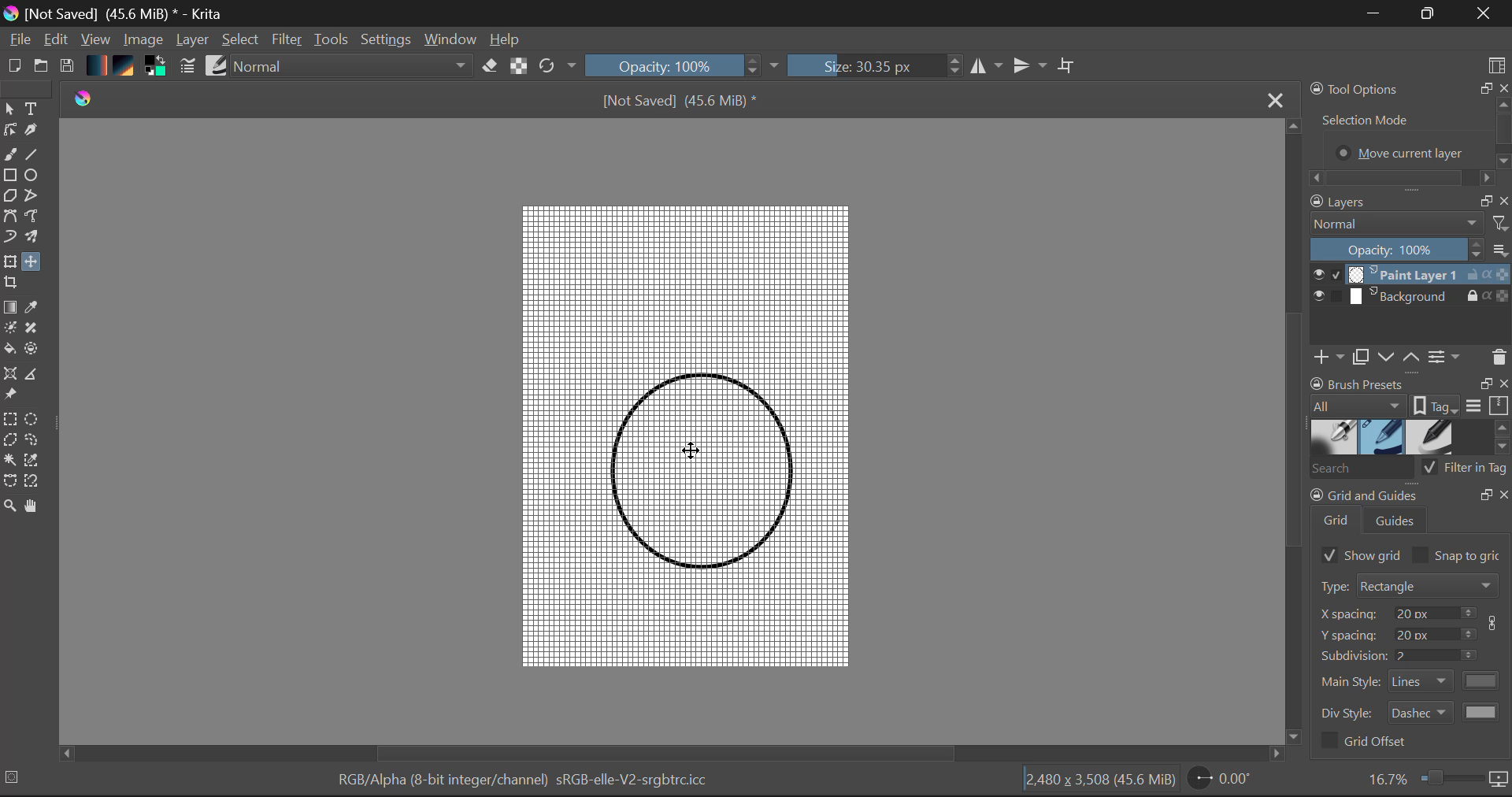 This screenshot has width=1512, height=797. Describe the element at coordinates (9, 462) in the screenshot. I see `Continuous Selection` at that location.